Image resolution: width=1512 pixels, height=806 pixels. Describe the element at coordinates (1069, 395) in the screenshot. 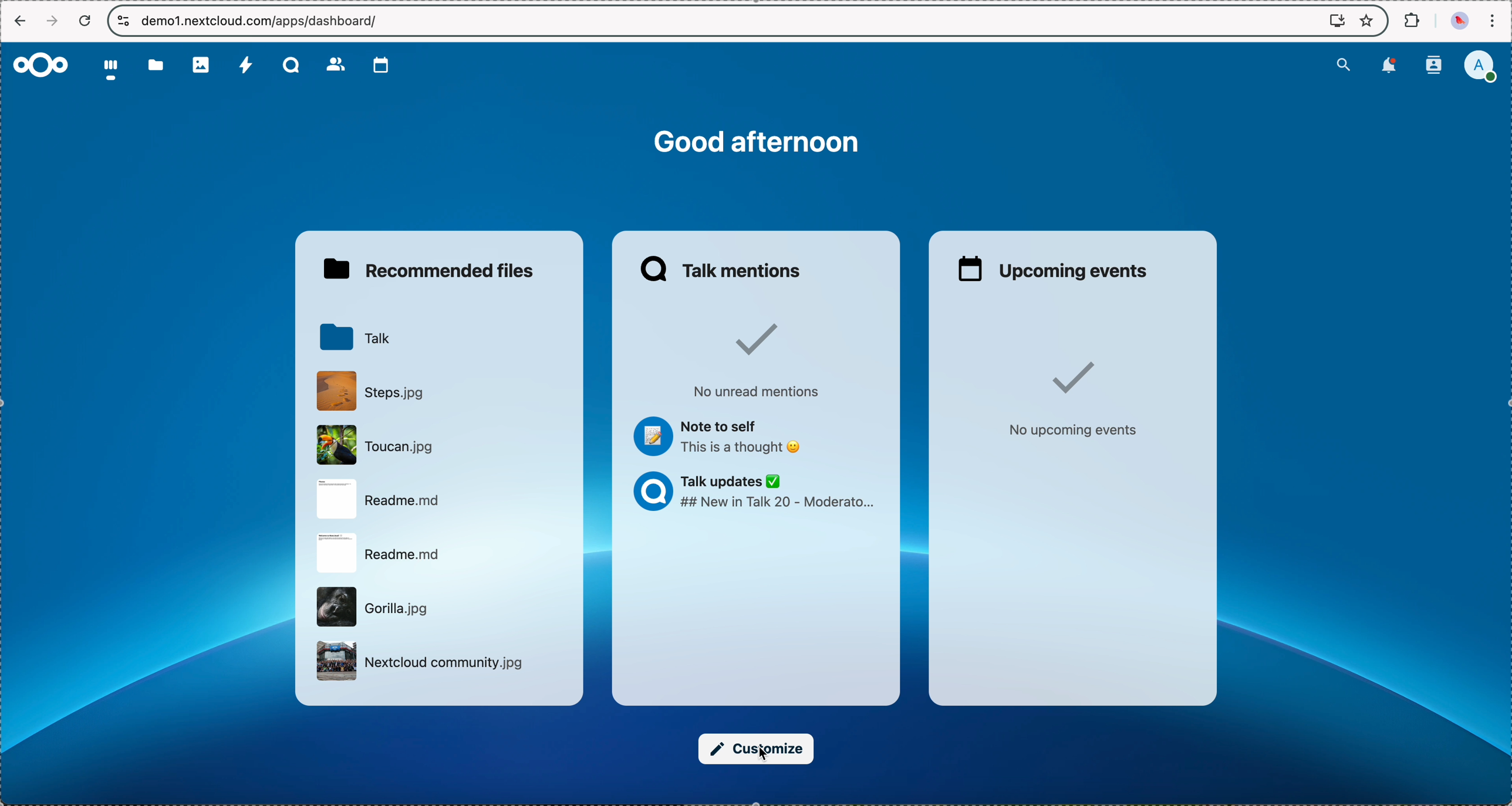

I see `no upcoming events` at that location.